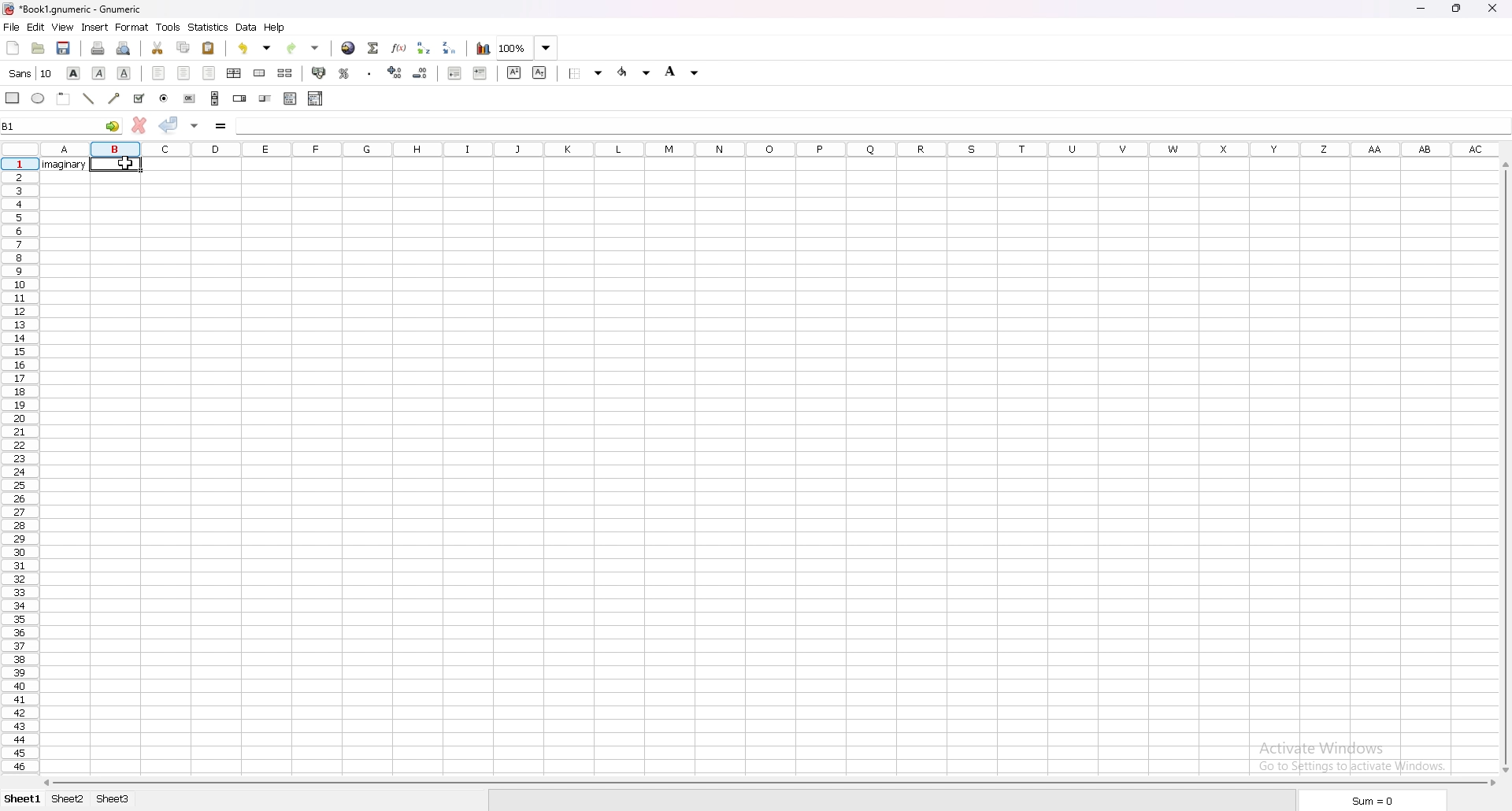  Describe the element at coordinates (73, 9) in the screenshot. I see `file name` at that location.